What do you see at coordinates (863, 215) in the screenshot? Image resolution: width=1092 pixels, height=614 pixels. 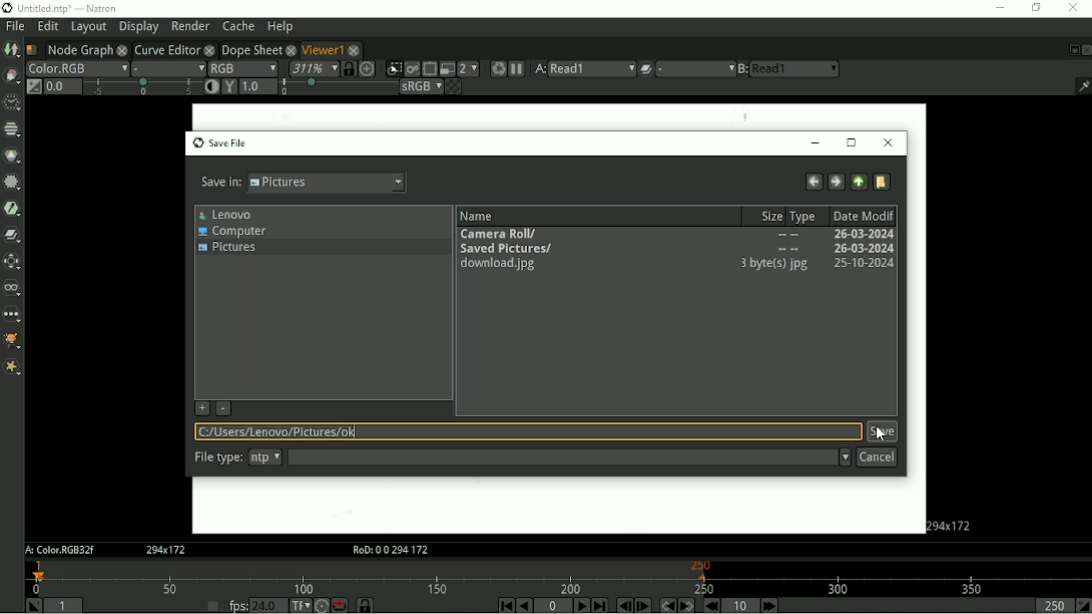 I see `Date Modified` at bounding box center [863, 215].